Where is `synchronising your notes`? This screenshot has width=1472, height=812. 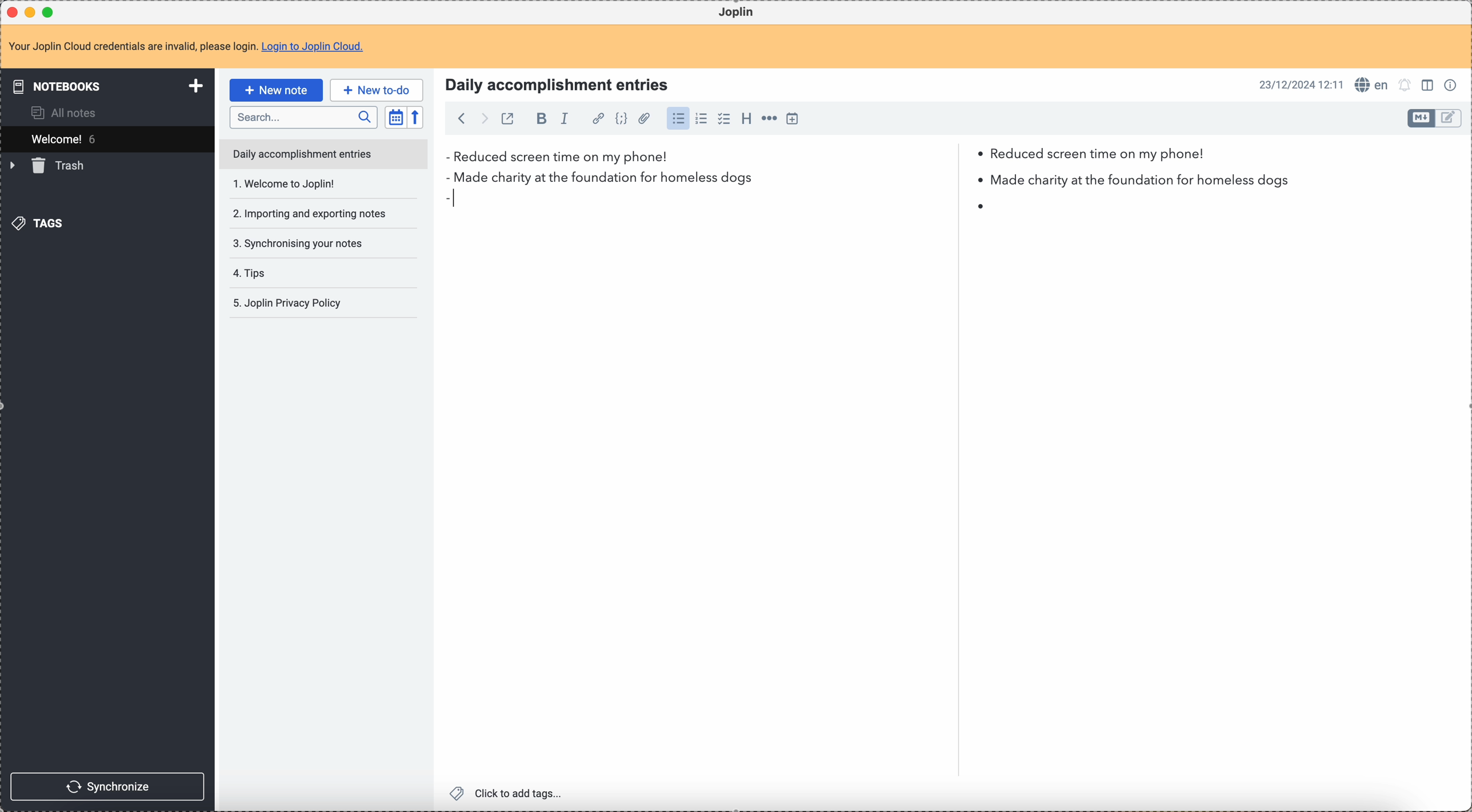
synchronising your notes is located at coordinates (303, 214).